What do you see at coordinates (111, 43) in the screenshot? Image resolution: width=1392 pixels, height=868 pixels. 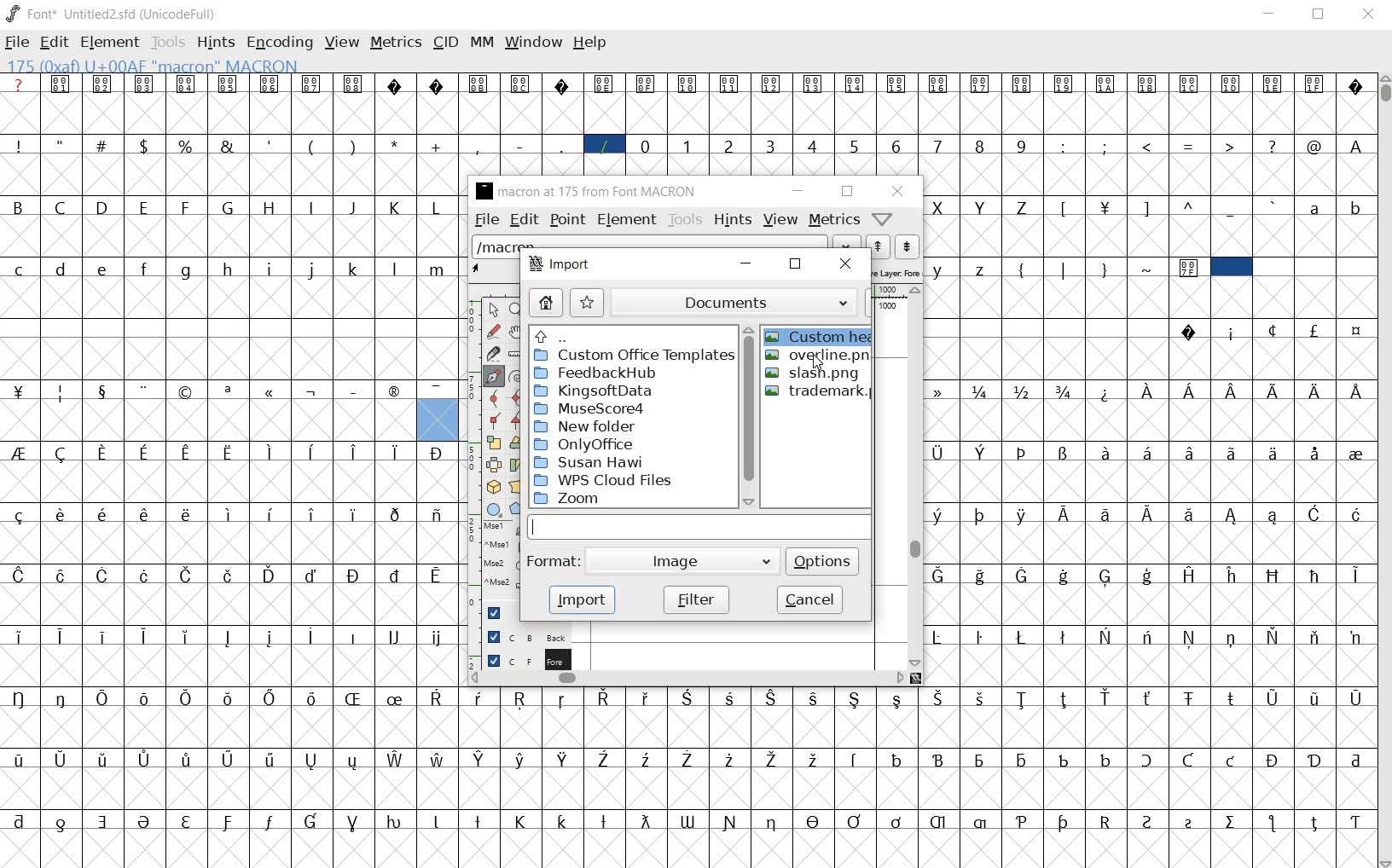 I see `element` at bounding box center [111, 43].